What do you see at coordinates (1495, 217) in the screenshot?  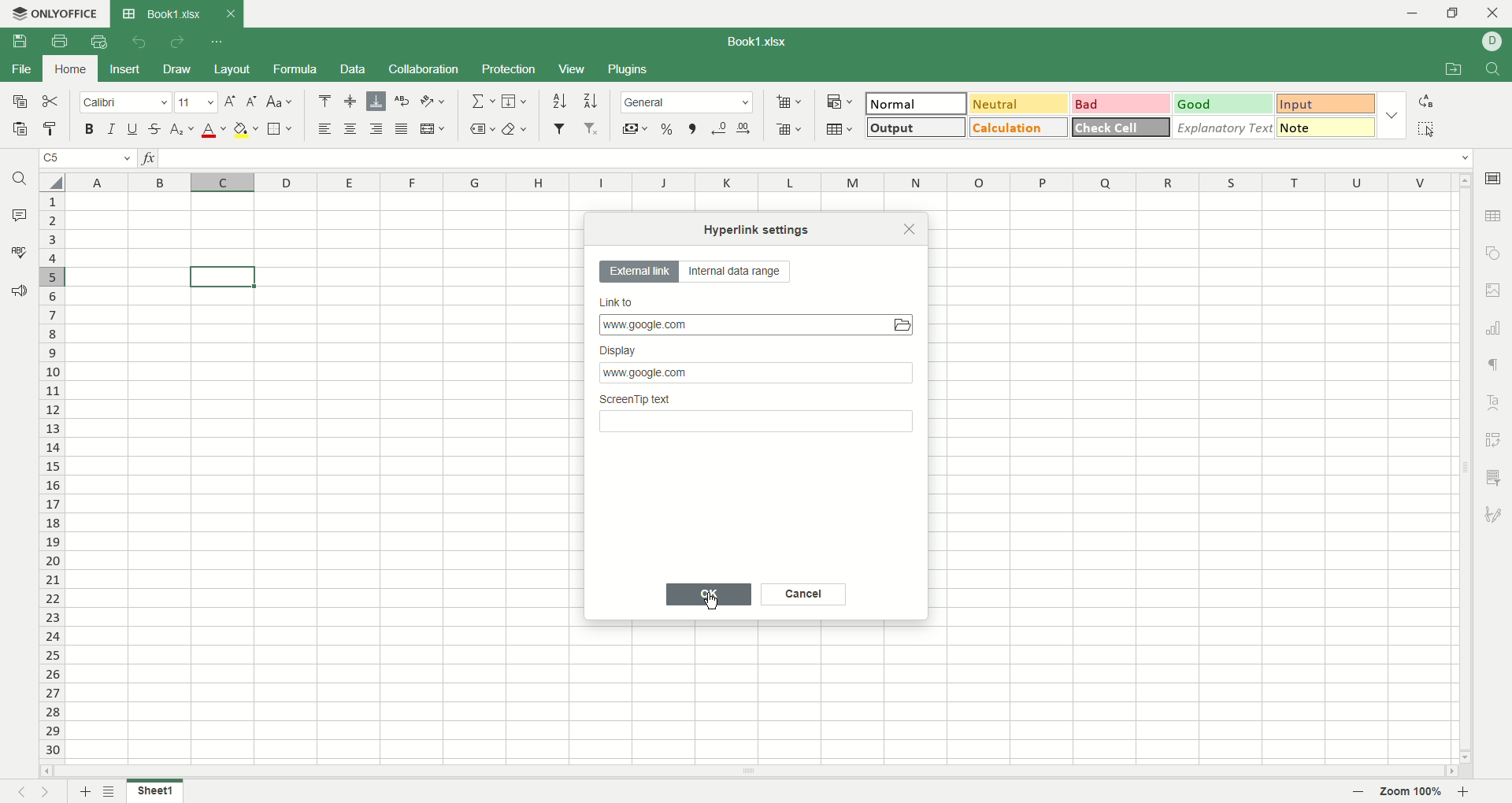 I see `table settings` at bounding box center [1495, 217].